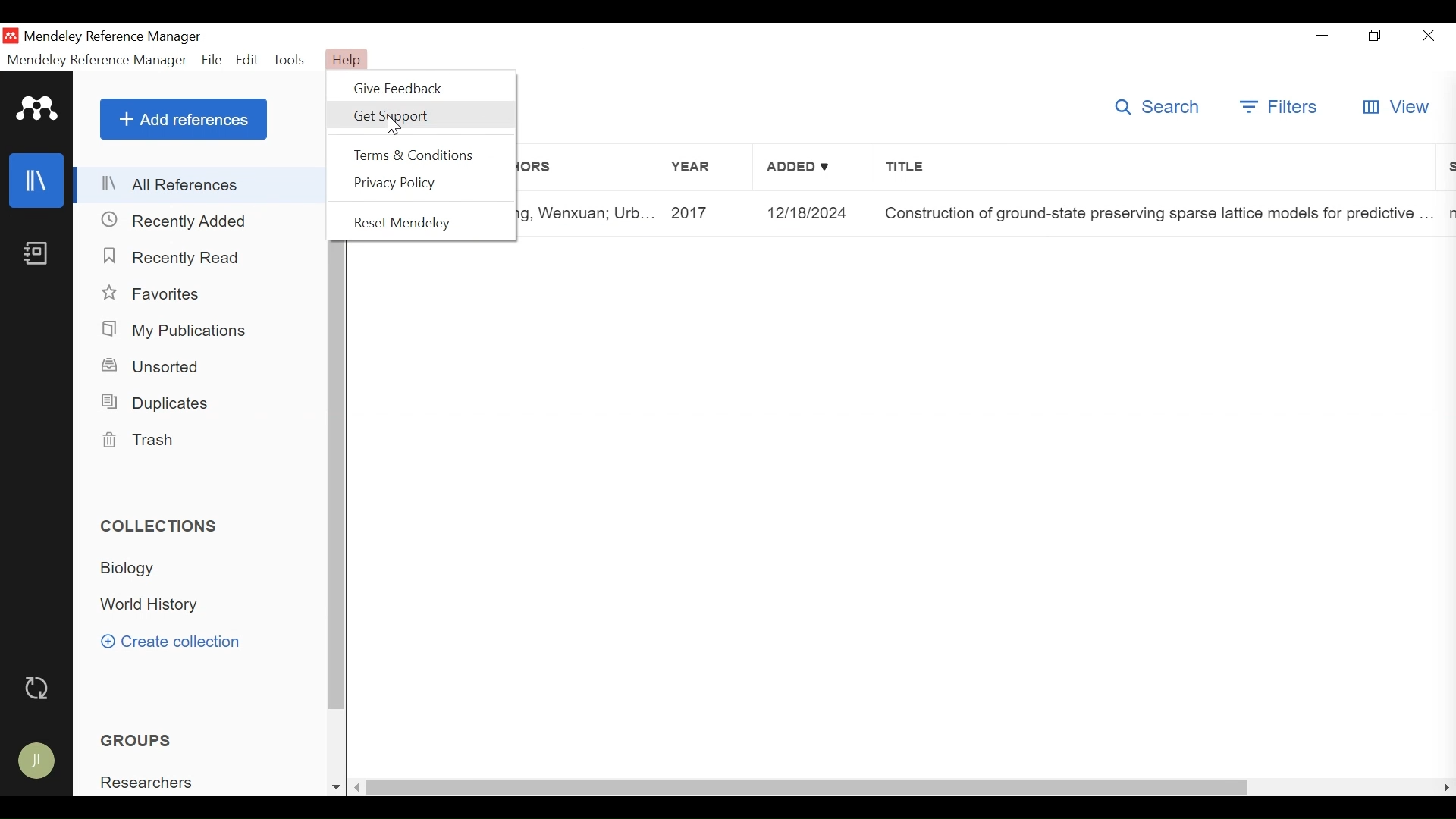  I want to click on Scroll left, so click(360, 788).